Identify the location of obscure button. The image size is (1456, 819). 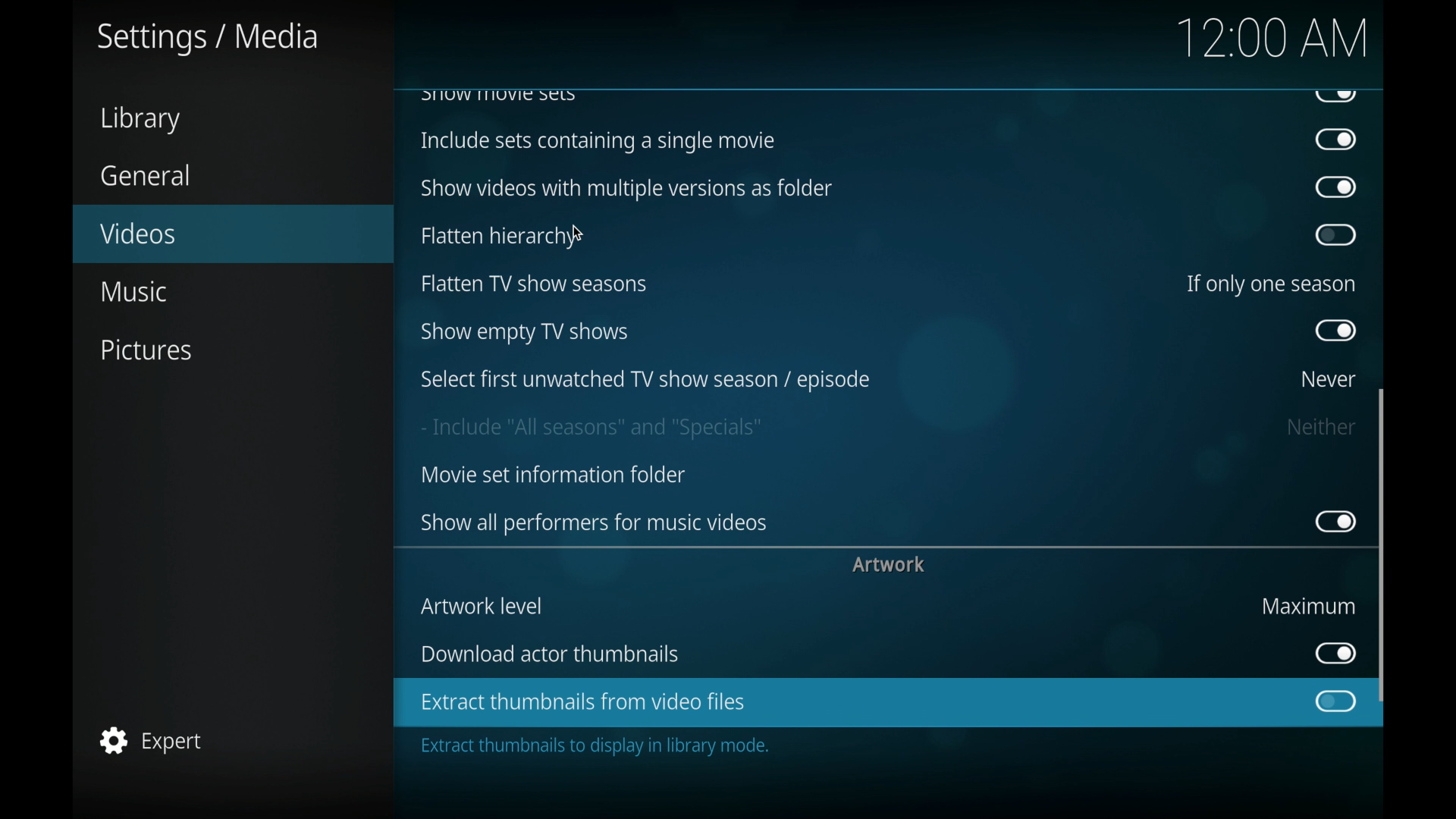
(1335, 96).